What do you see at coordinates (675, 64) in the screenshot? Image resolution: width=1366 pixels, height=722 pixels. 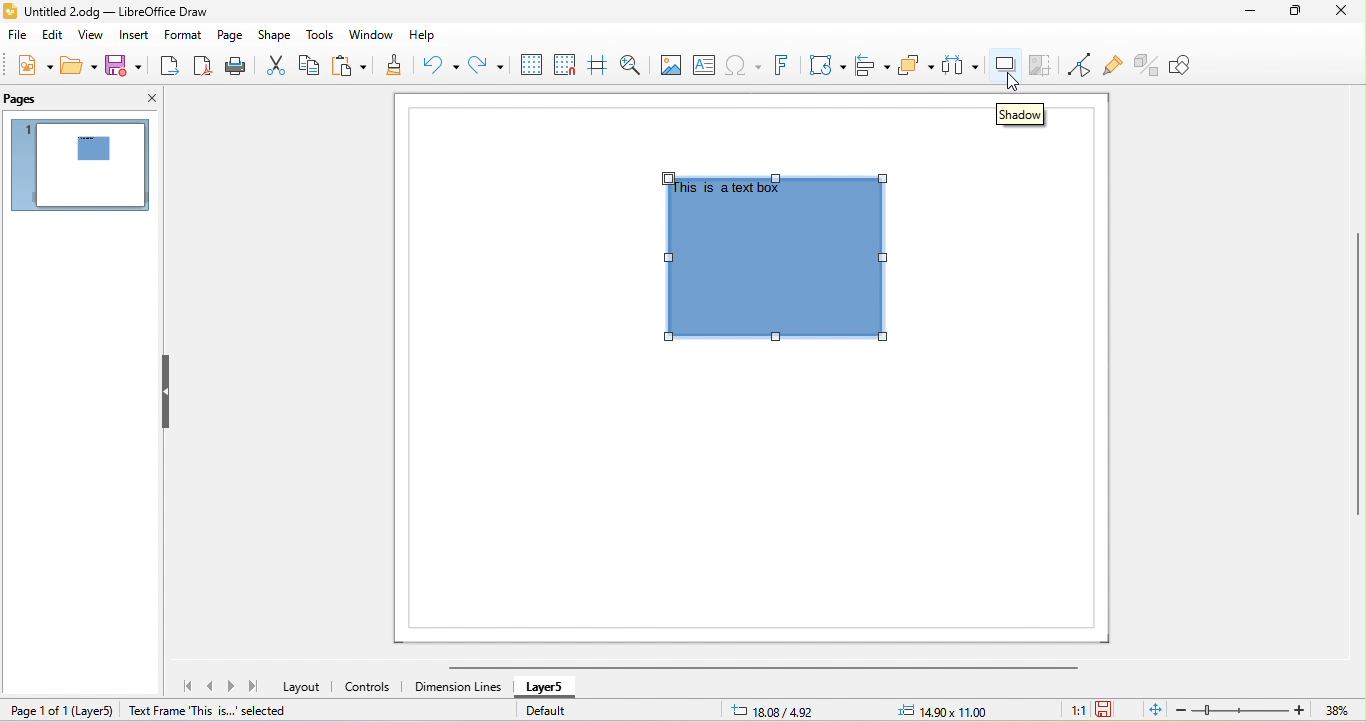 I see `image` at bounding box center [675, 64].